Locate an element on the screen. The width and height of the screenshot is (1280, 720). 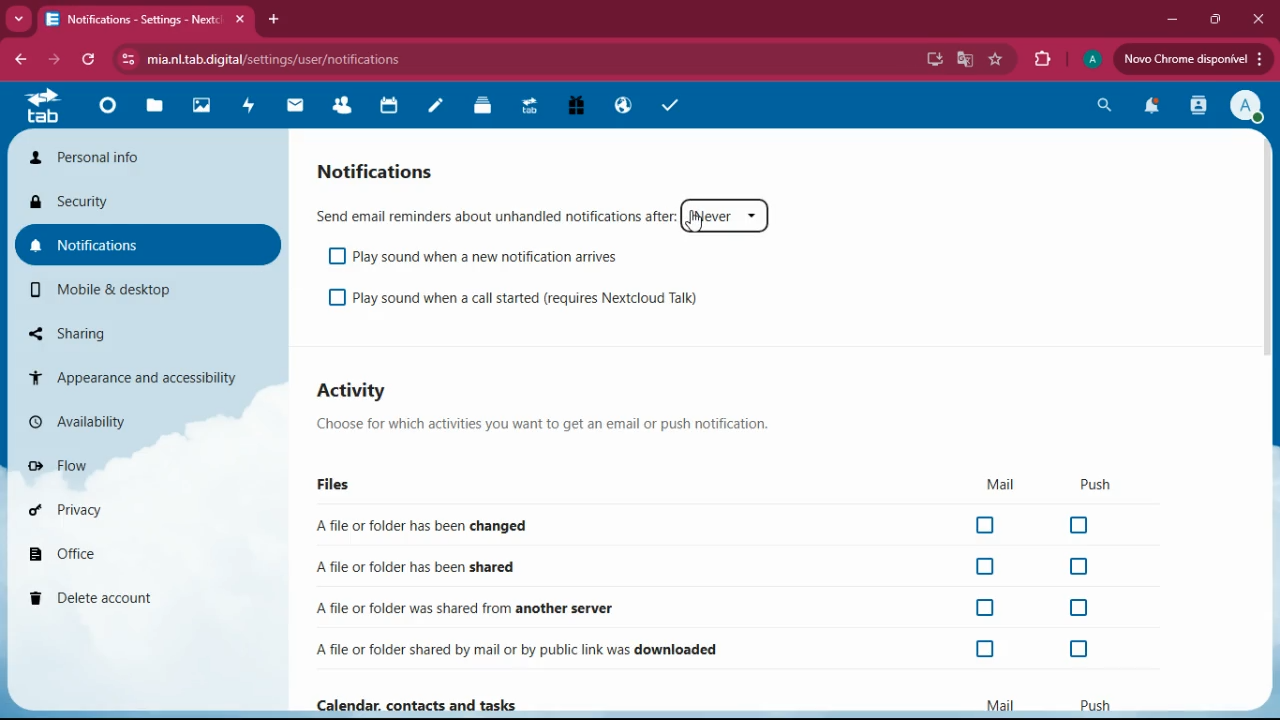
off is located at coordinates (338, 296).